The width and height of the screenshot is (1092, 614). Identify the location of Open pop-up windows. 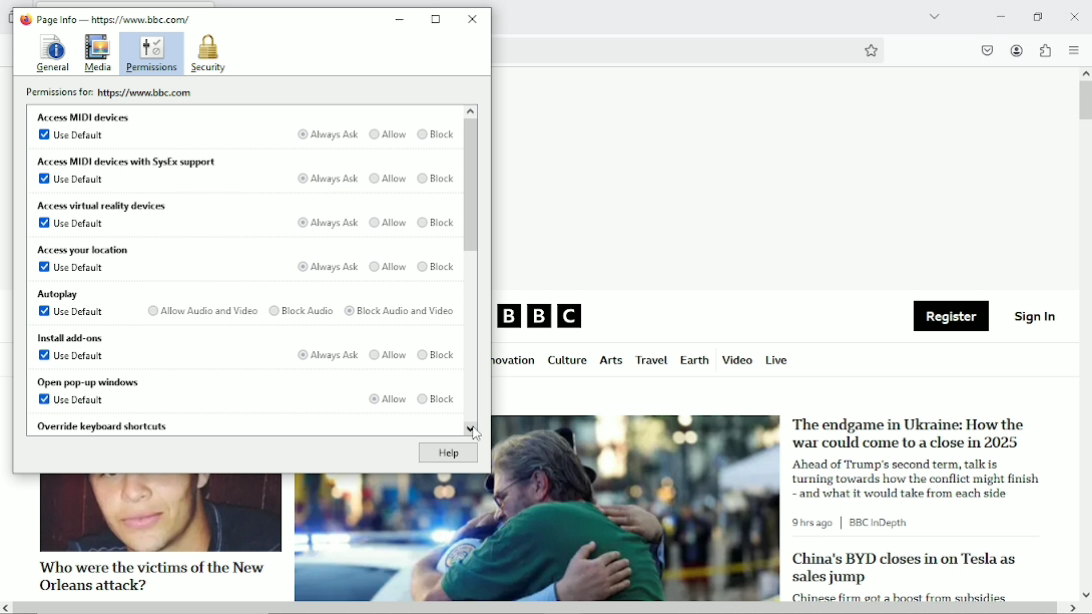
(92, 382).